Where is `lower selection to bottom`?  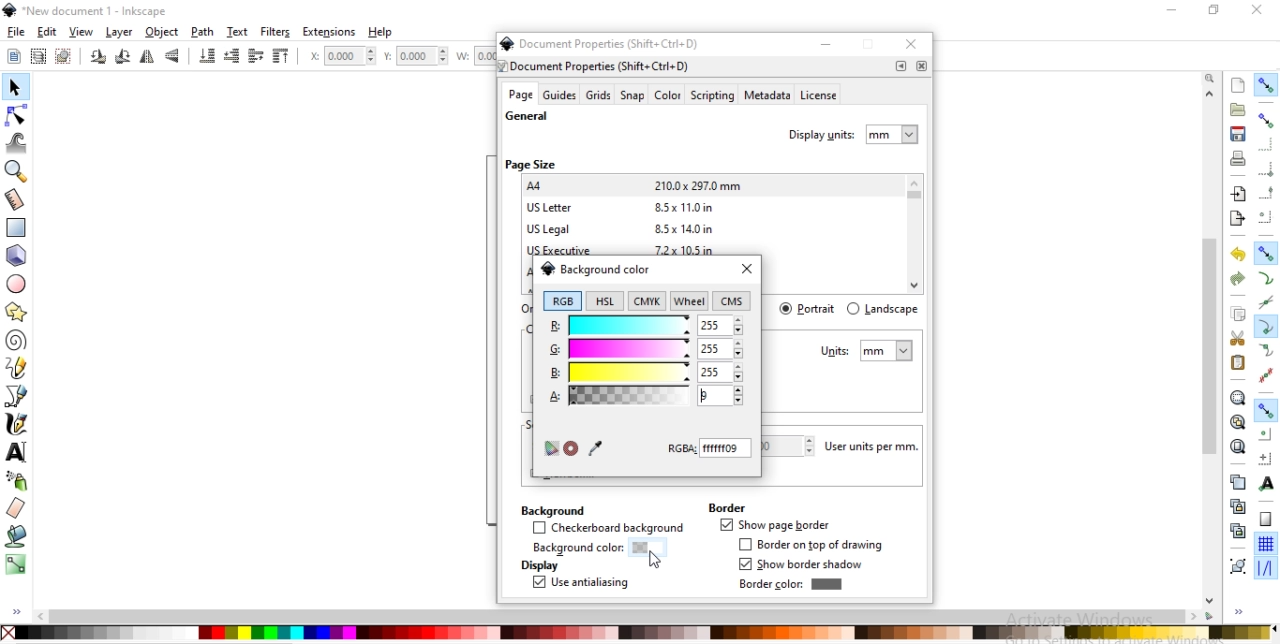
lower selection to bottom is located at coordinates (208, 56).